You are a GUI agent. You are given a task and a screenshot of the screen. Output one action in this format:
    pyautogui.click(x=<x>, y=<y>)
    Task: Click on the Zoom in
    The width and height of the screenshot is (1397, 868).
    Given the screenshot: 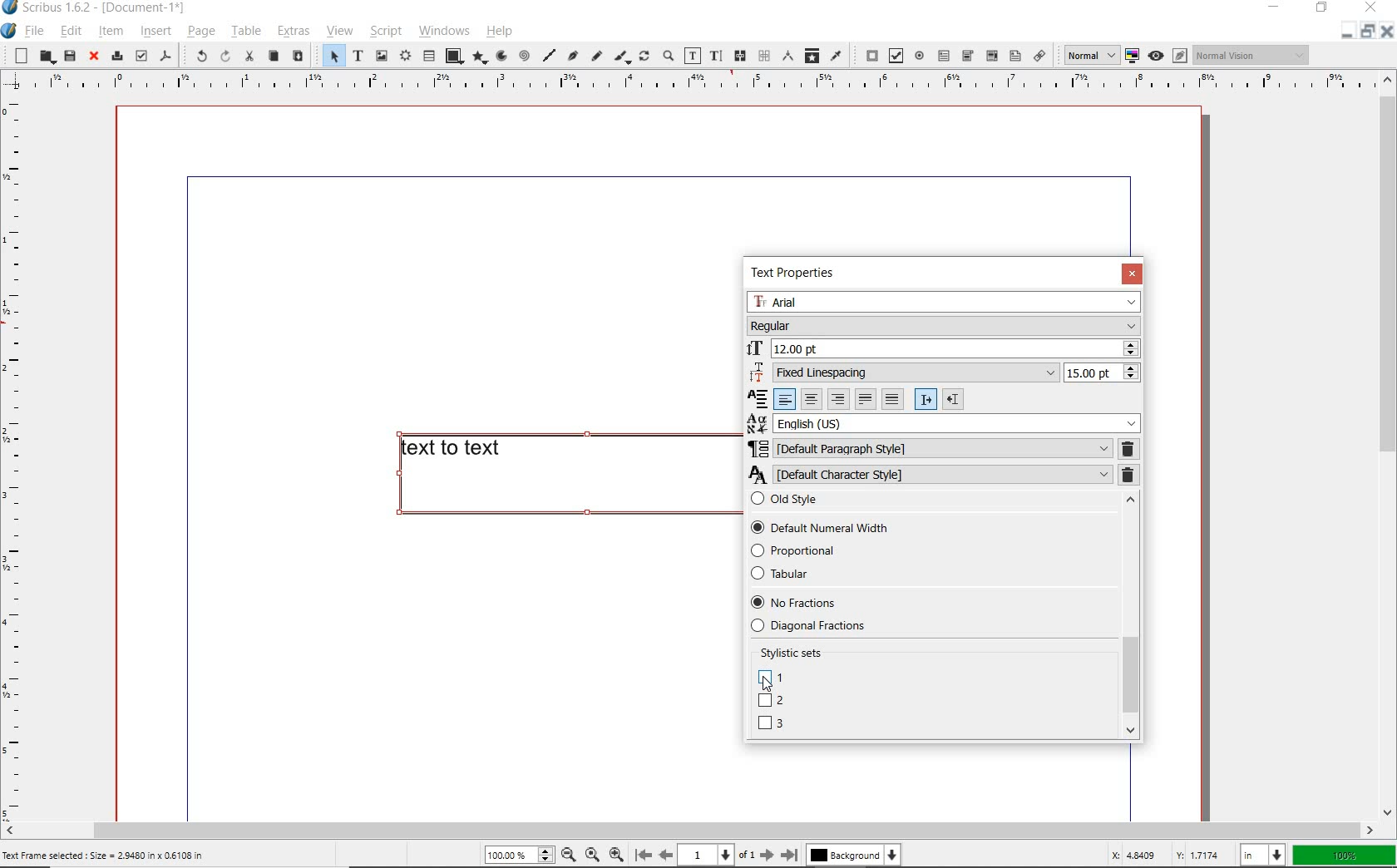 What is the action you would take?
    pyautogui.click(x=616, y=853)
    